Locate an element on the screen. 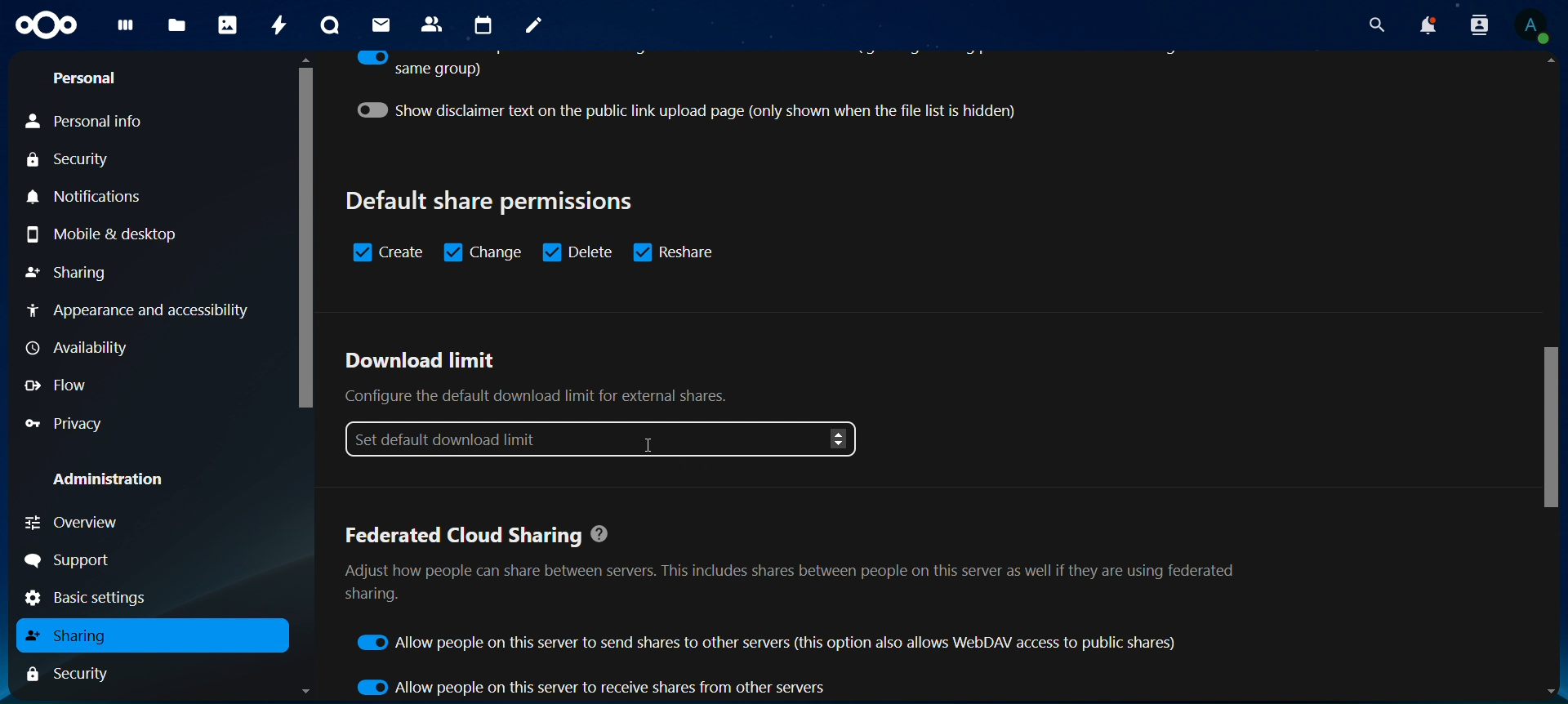 The image size is (1568, 704). Icon is located at coordinates (47, 27).